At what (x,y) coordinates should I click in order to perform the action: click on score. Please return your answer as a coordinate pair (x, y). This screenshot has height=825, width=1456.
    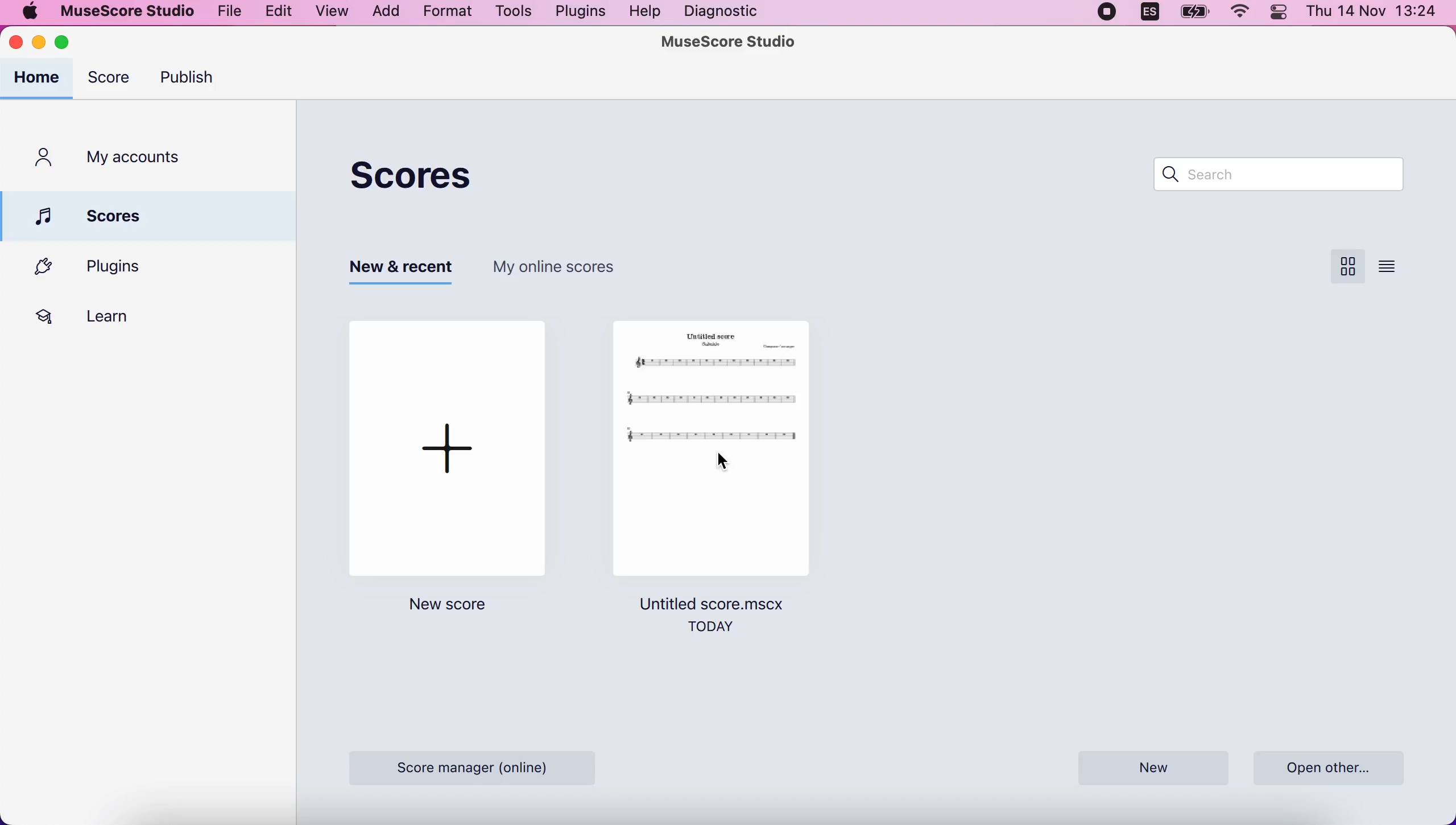
    Looking at the image, I should click on (436, 172).